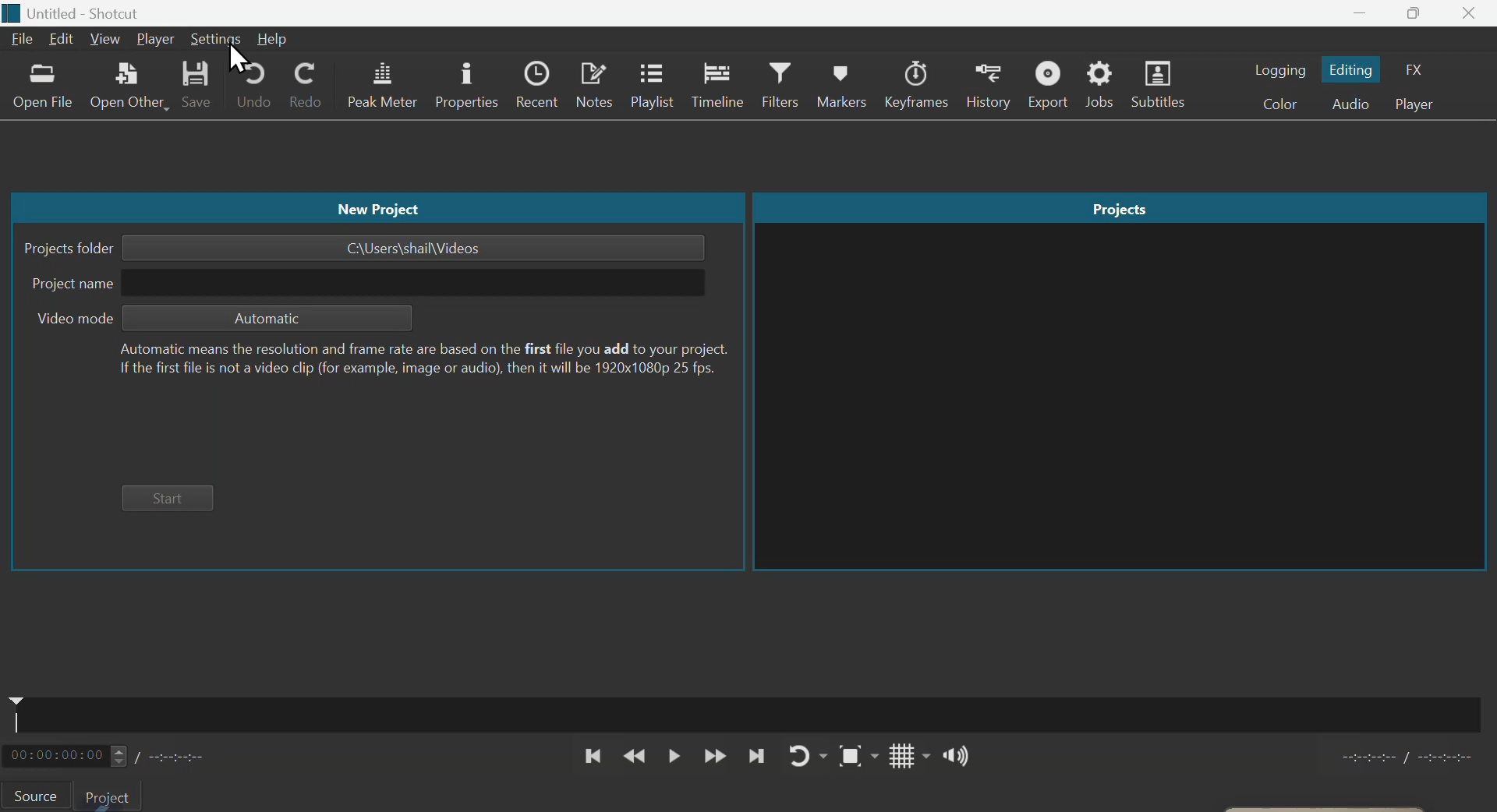 This screenshot has height=812, width=1497. What do you see at coordinates (272, 38) in the screenshot?
I see `Help` at bounding box center [272, 38].